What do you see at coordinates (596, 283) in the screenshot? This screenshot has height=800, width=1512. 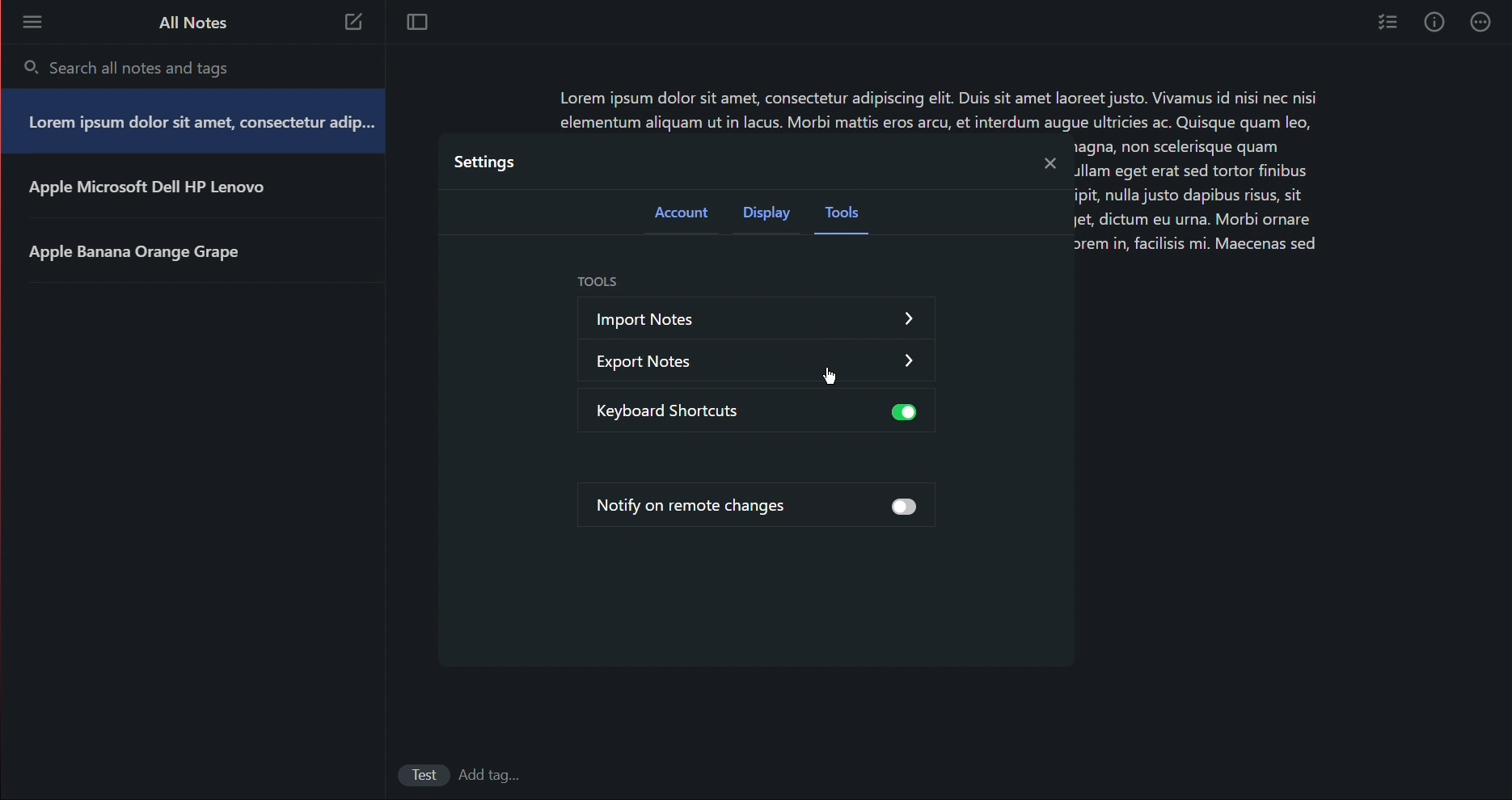 I see `Tools` at bounding box center [596, 283].